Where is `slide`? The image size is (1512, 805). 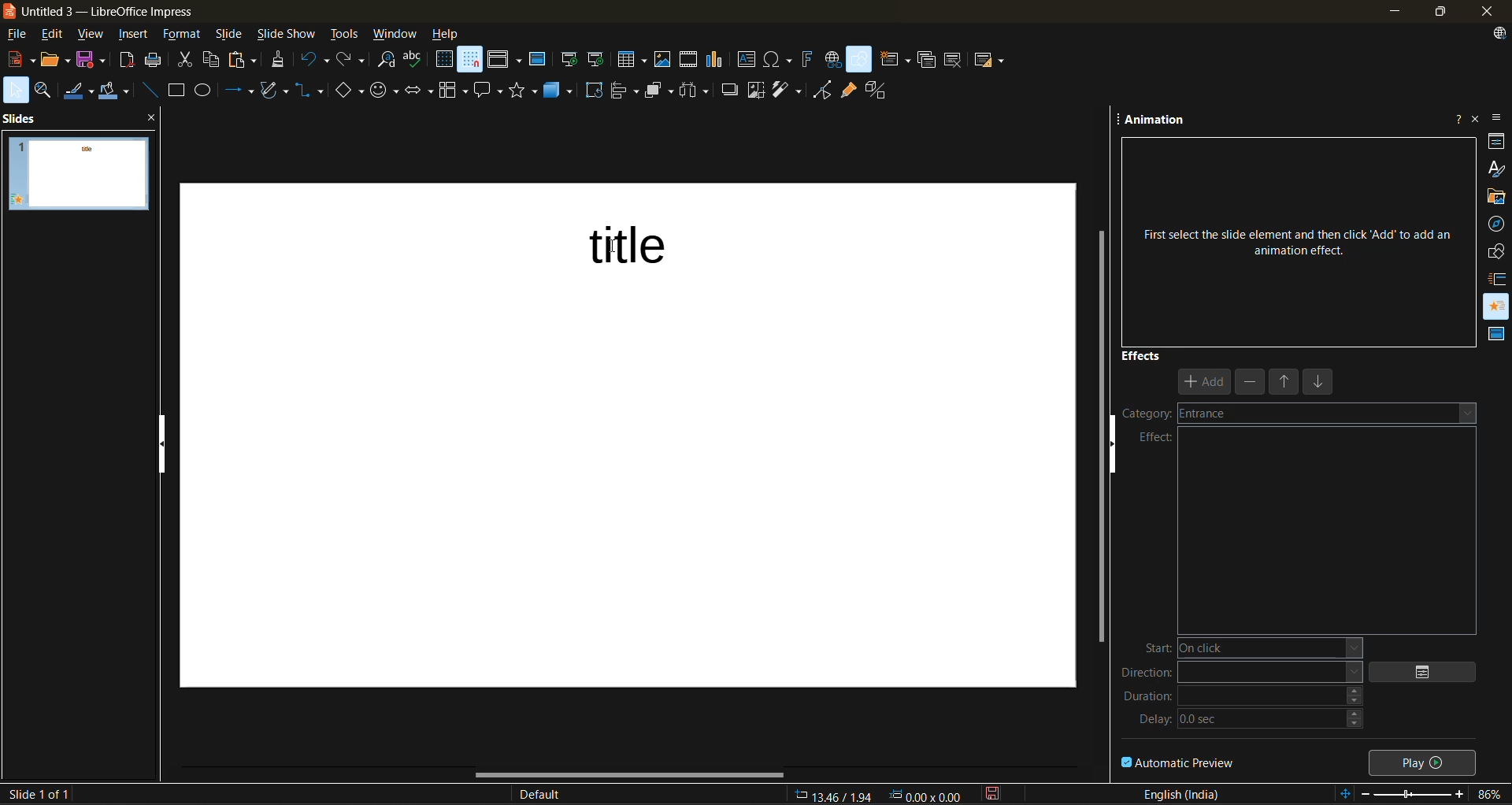 slide is located at coordinates (78, 174).